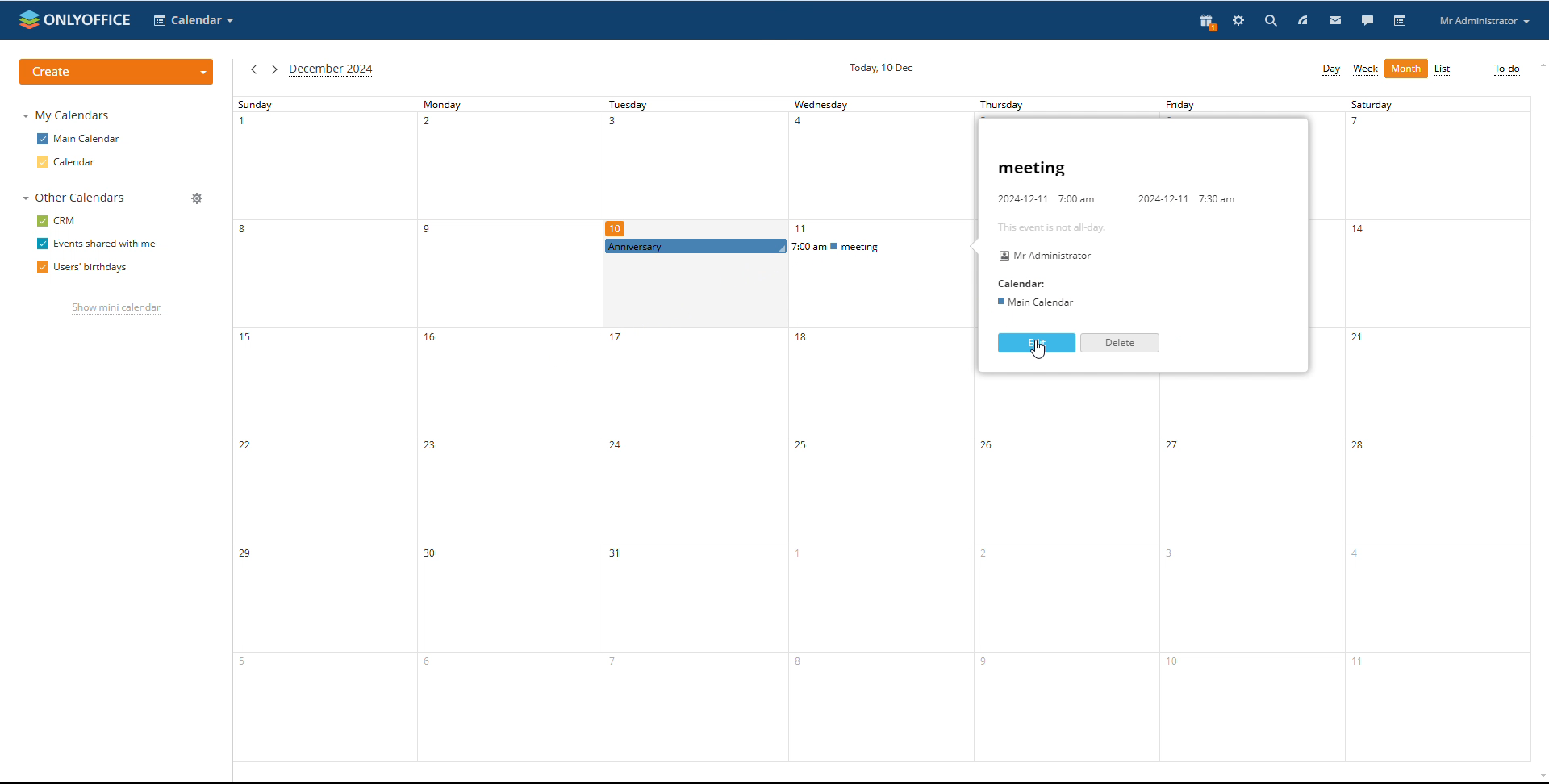 This screenshot has height=784, width=1549. What do you see at coordinates (56, 221) in the screenshot?
I see `crm` at bounding box center [56, 221].